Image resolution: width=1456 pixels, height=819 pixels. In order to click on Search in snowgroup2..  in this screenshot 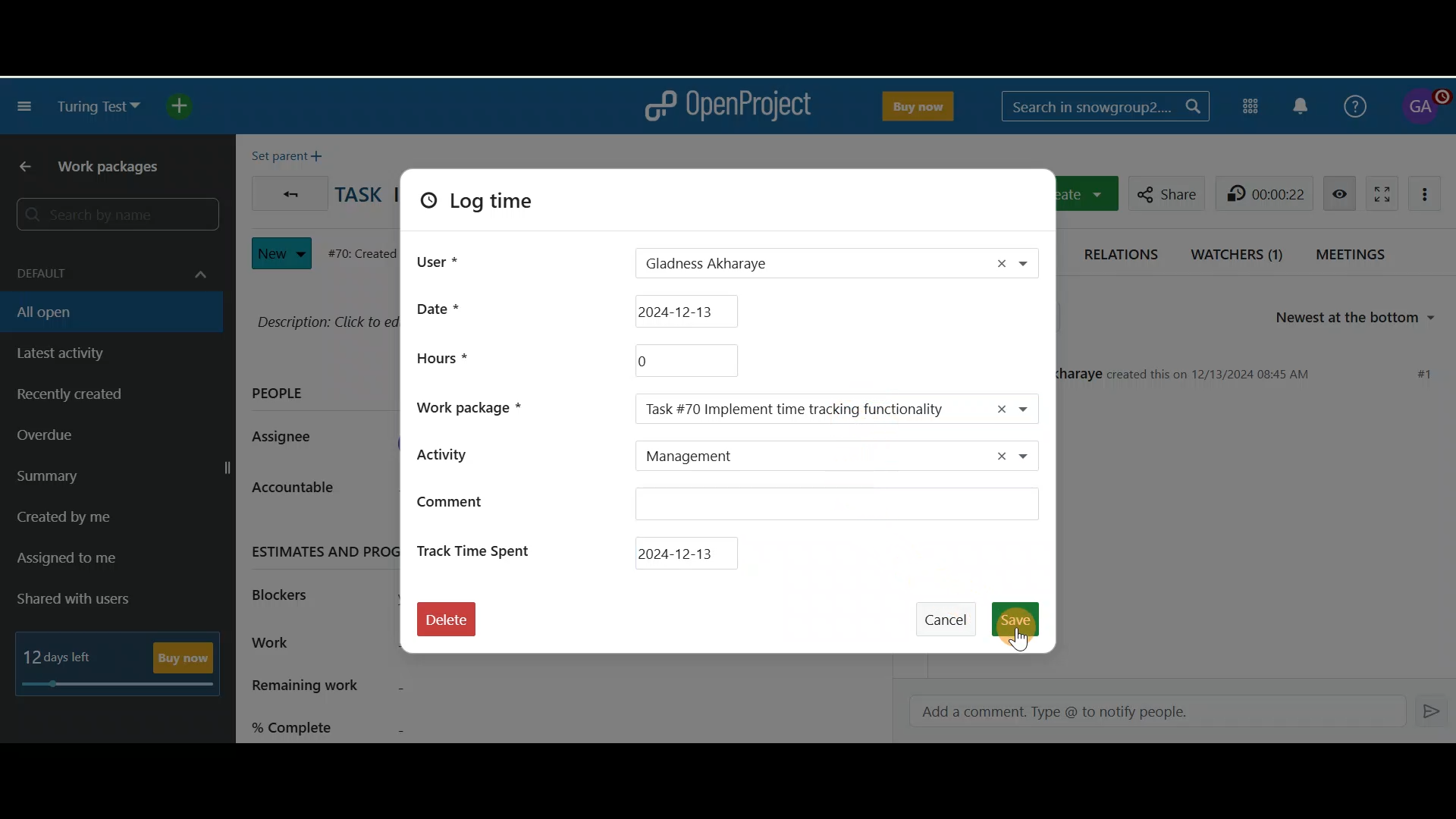, I will do `click(1103, 106)`.